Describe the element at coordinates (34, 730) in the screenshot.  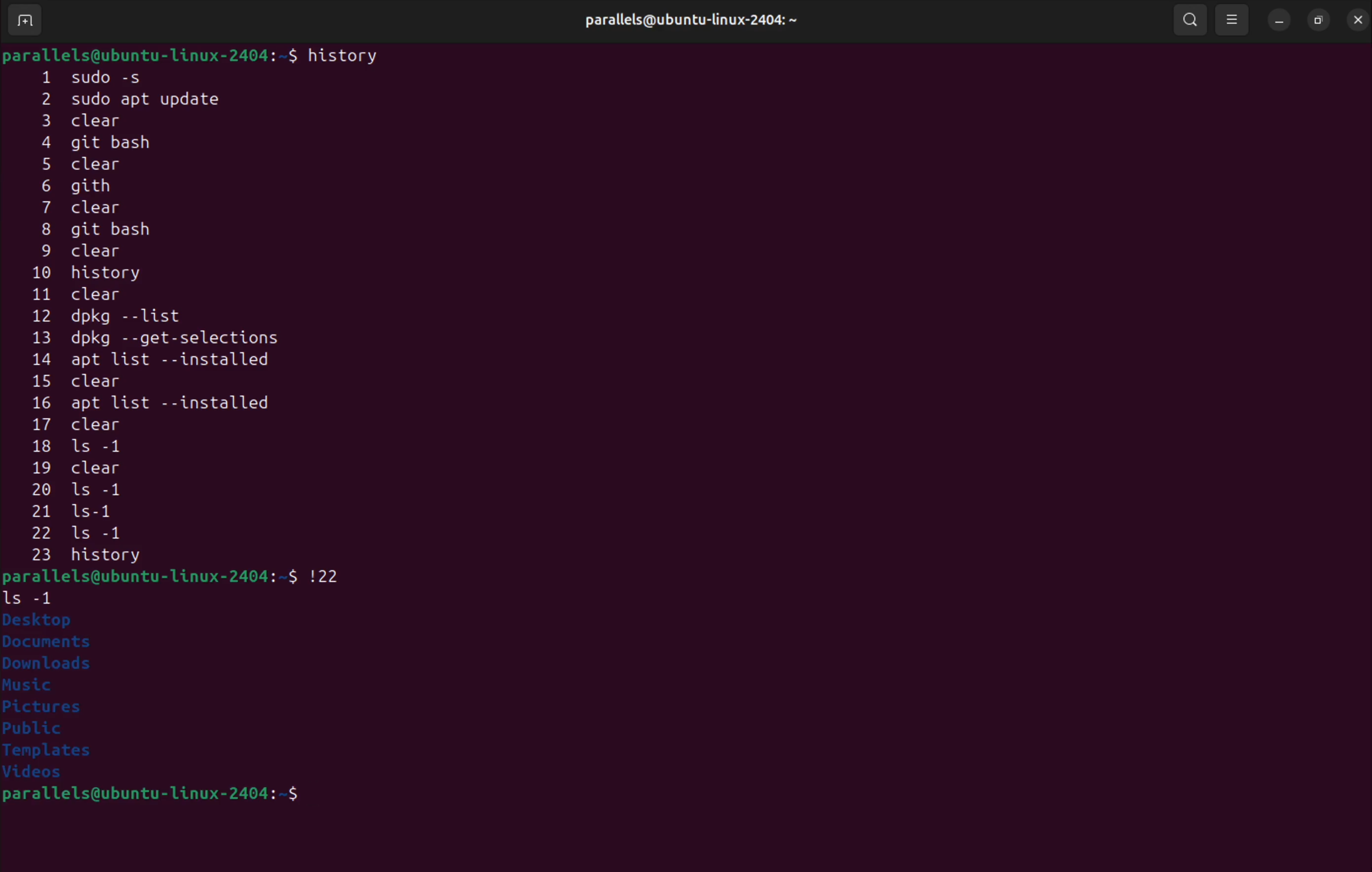
I see `public` at that location.